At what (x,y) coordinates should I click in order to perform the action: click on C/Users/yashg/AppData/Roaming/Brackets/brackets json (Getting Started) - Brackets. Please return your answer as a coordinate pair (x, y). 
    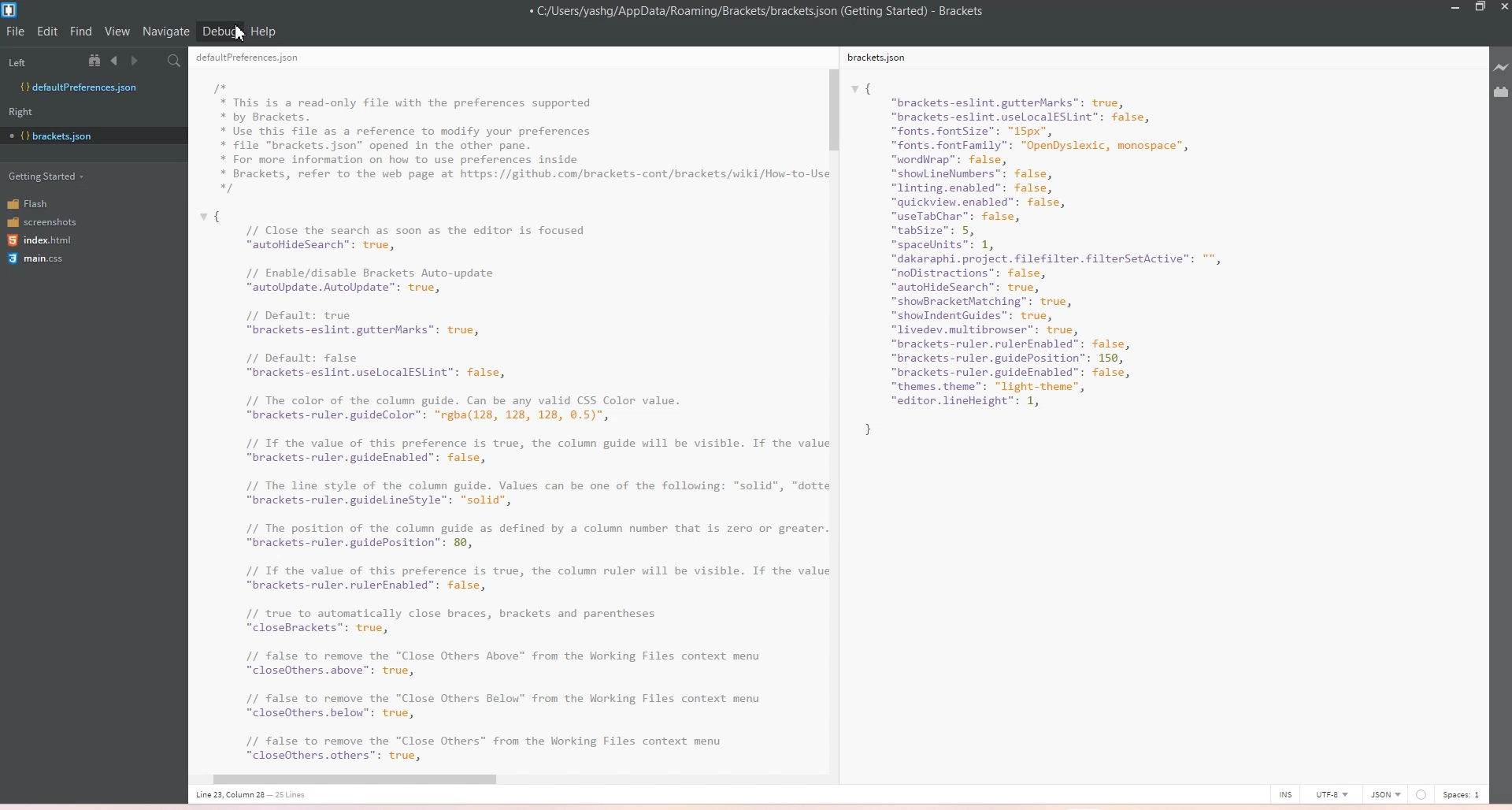
    Looking at the image, I should click on (768, 12).